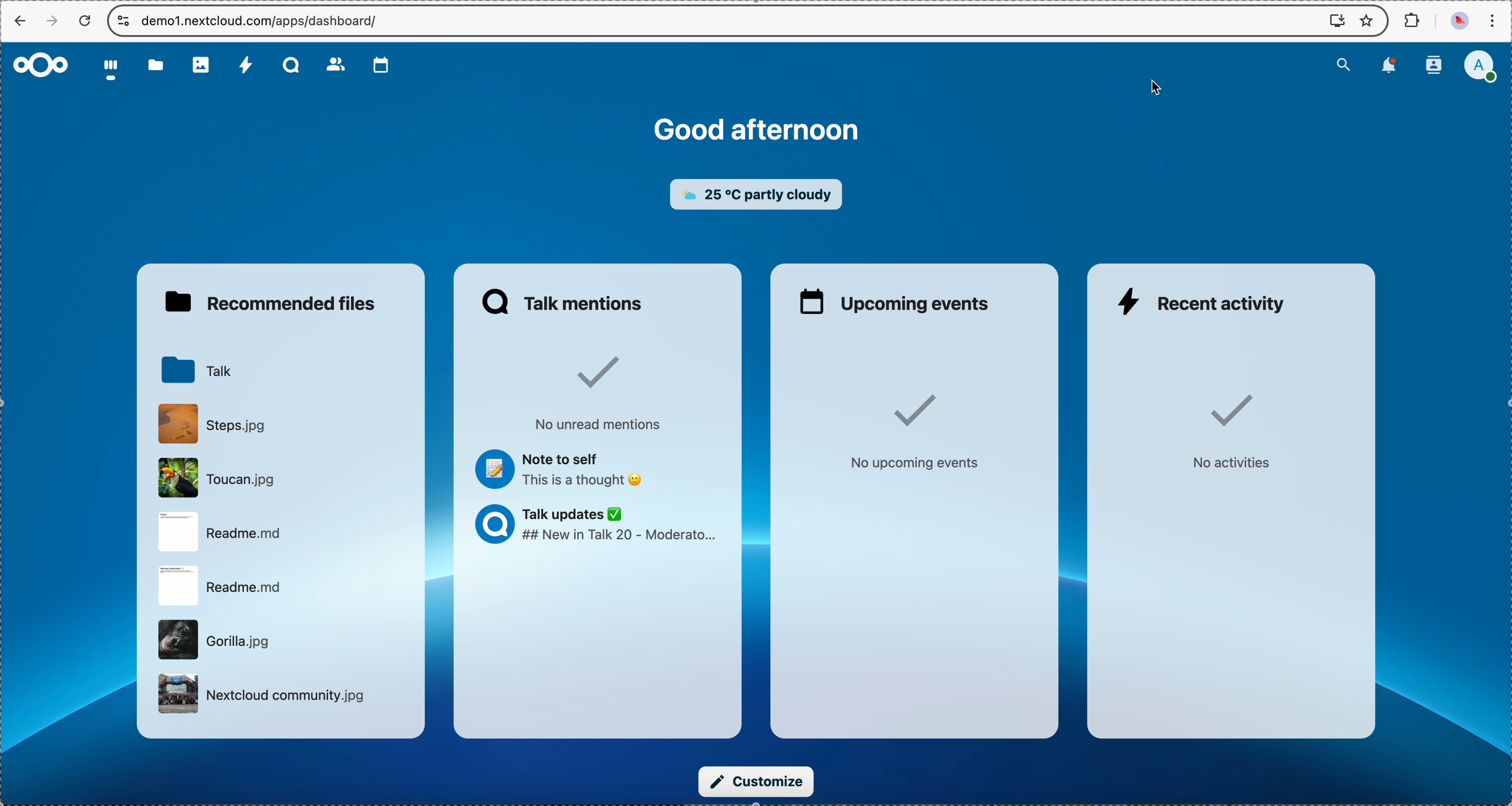  What do you see at coordinates (212, 423) in the screenshot?
I see `file` at bounding box center [212, 423].